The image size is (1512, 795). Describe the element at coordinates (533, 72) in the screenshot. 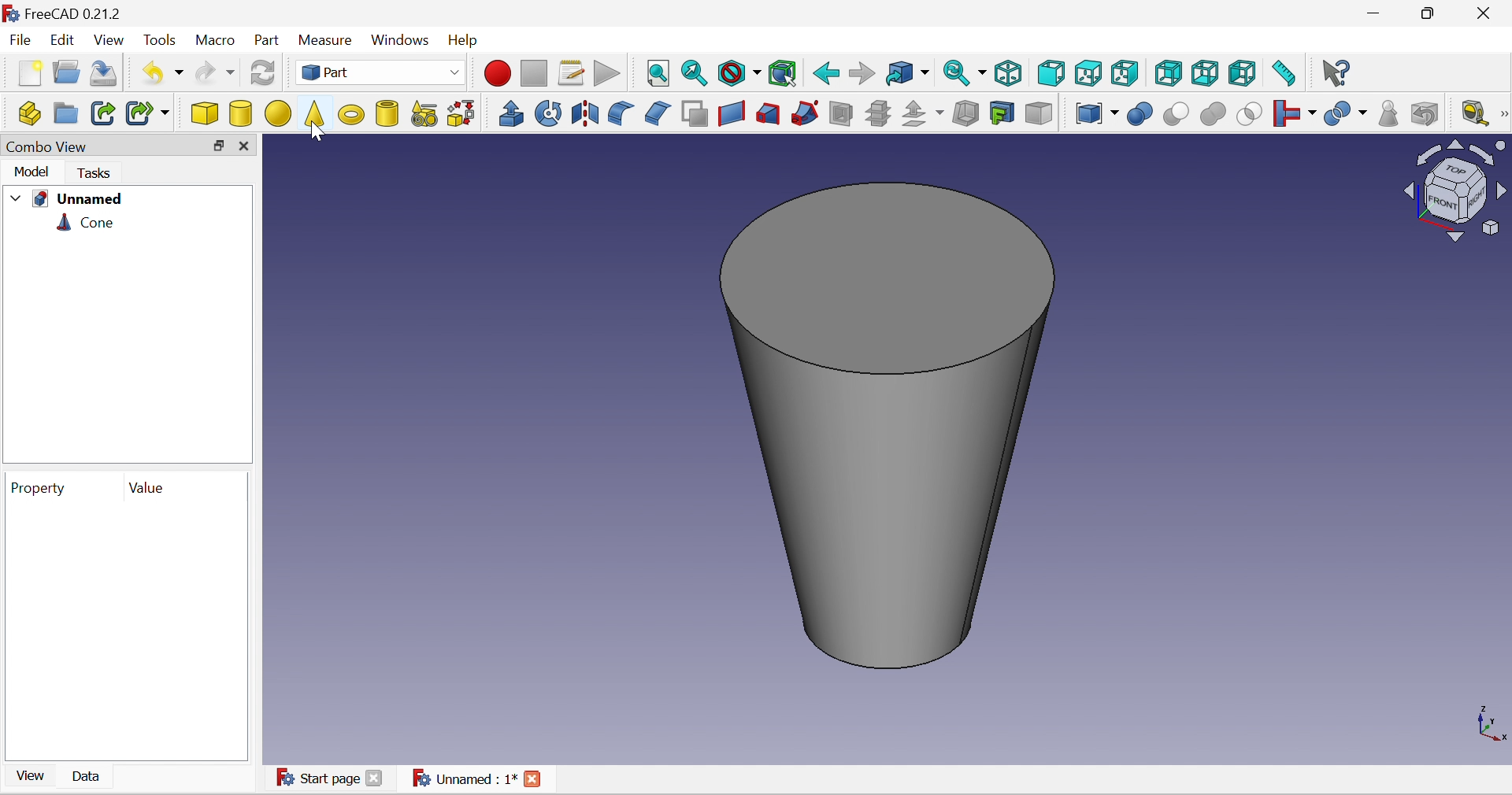

I see `Stop macro recording` at that location.